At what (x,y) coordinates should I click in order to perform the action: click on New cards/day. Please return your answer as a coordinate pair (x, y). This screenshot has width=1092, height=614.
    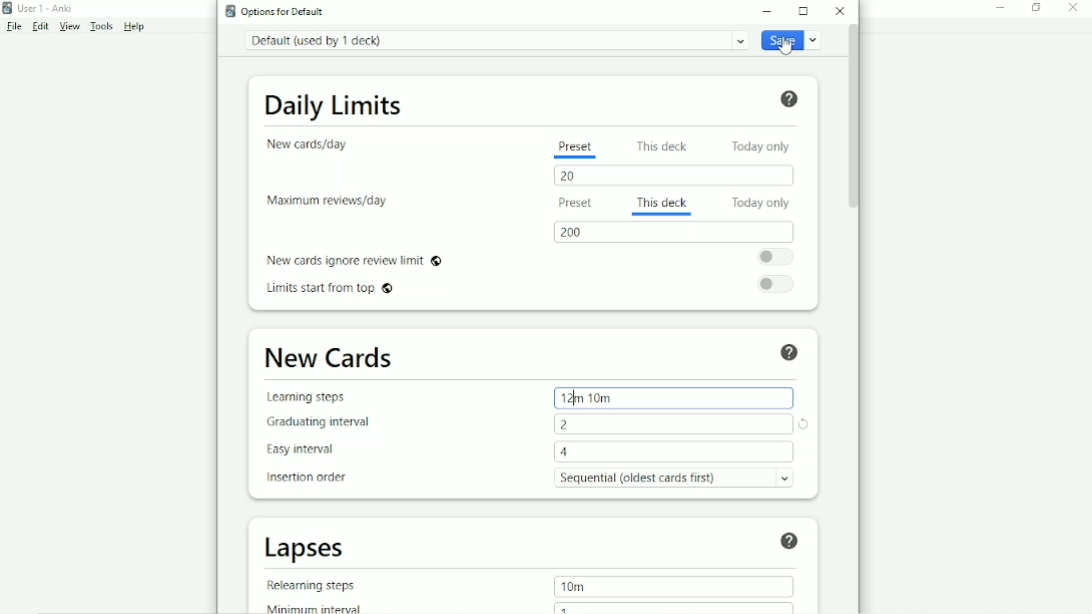
    Looking at the image, I should click on (308, 144).